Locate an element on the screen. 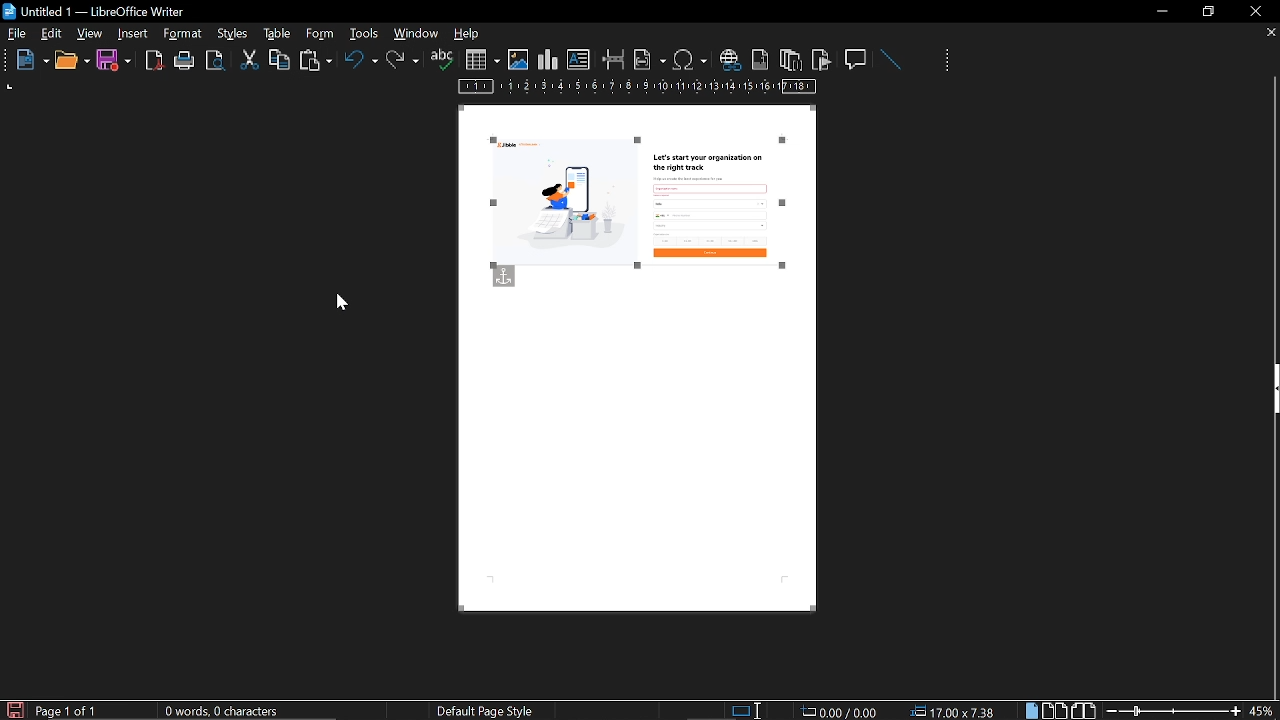 This screenshot has width=1280, height=720. standard selection is located at coordinates (748, 710).